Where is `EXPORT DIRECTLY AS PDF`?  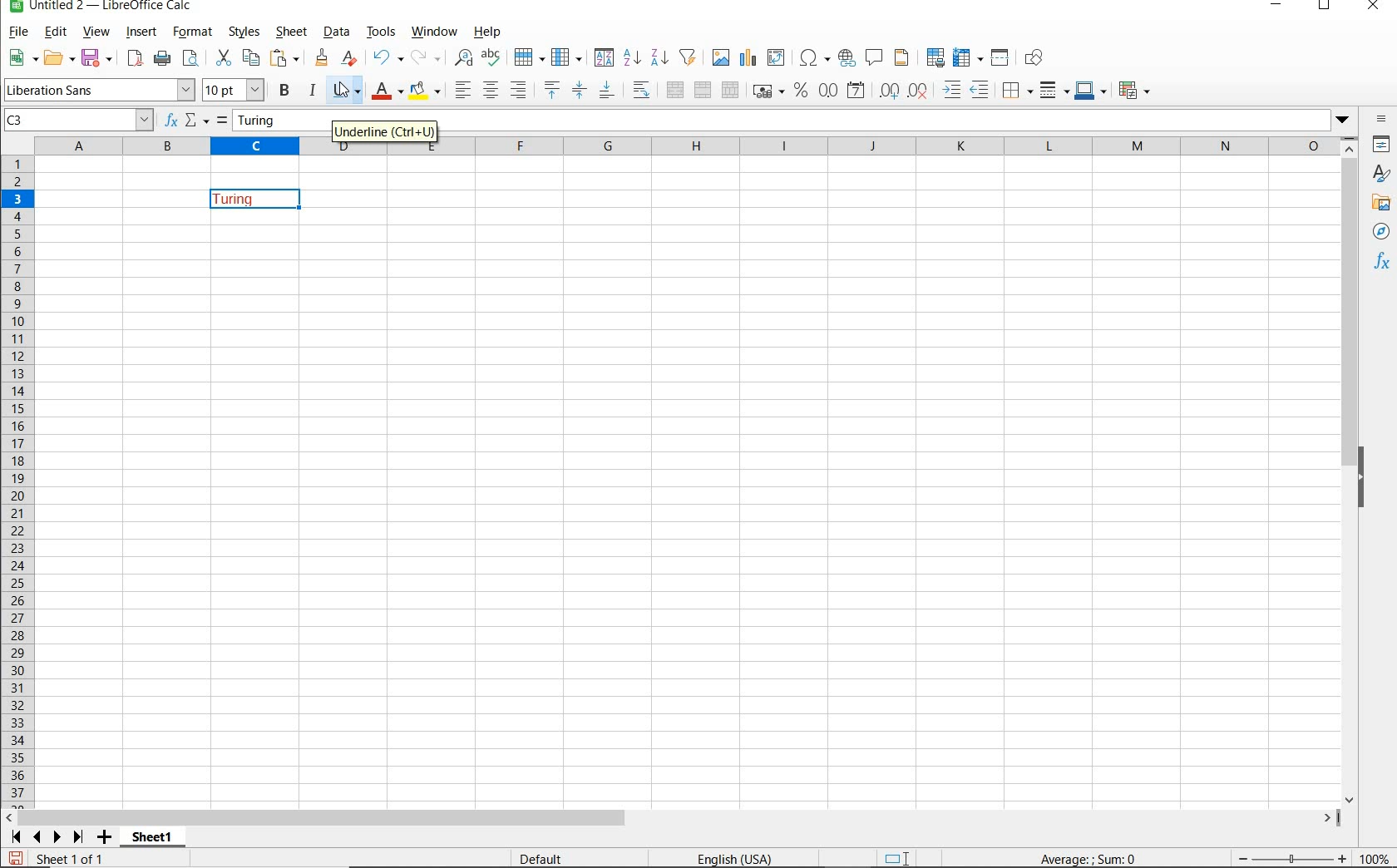
EXPORT DIRECTLY AS PDF is located at coordinates (135, 58).